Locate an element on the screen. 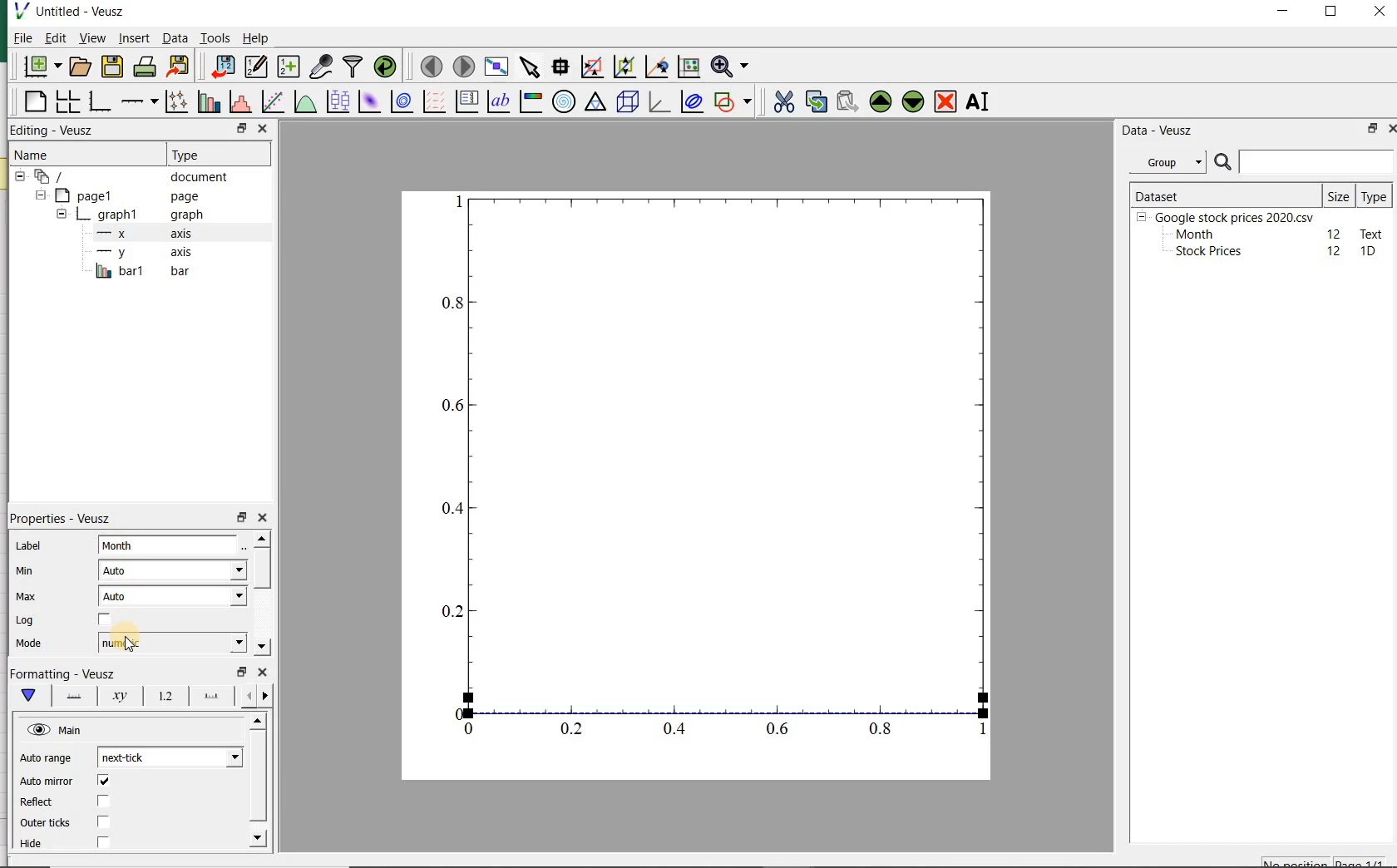 This screenshot has width=1397, height=868. Type is located at coordinates (1374, 195).